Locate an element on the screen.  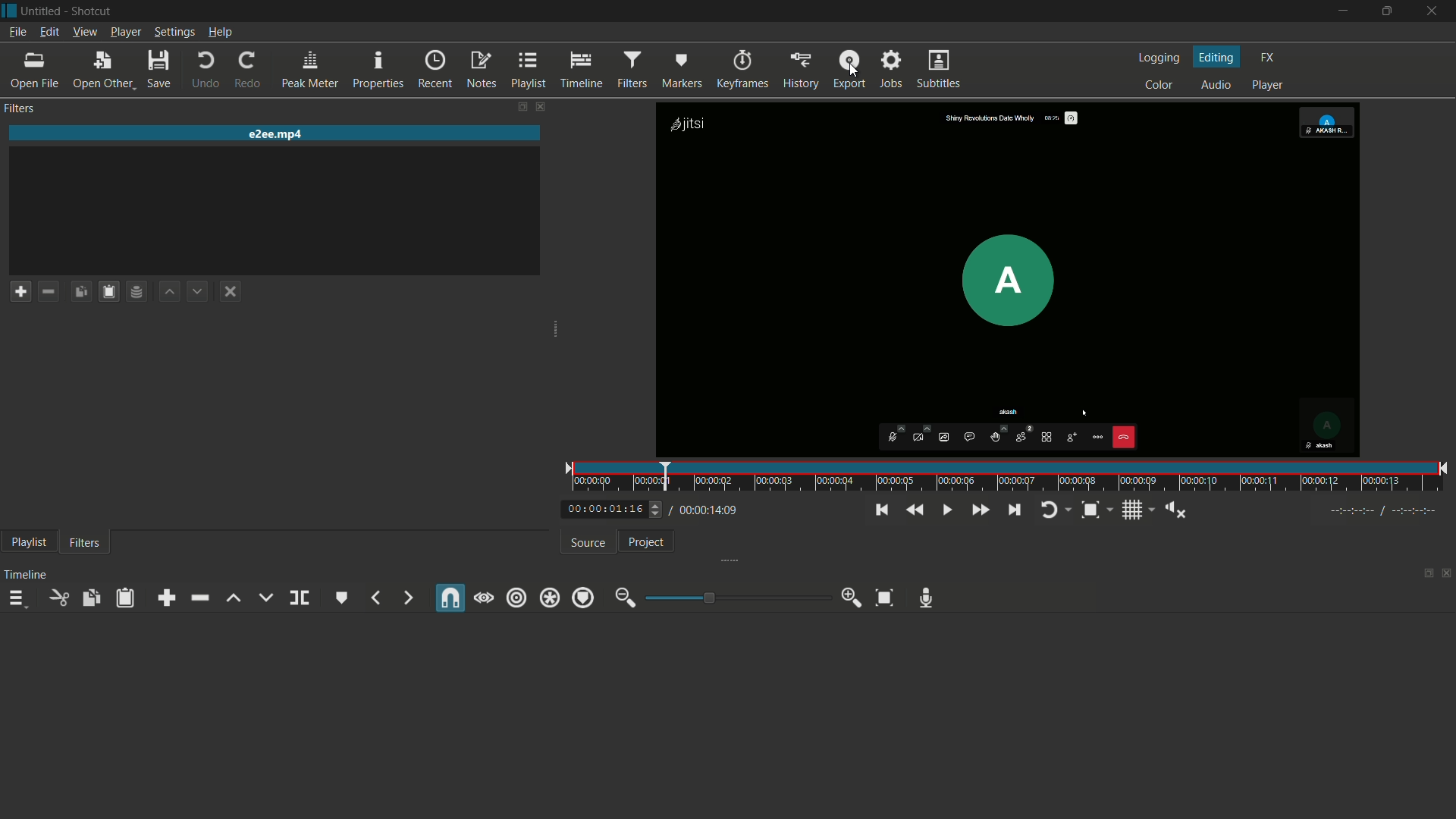
ripple is located at coordinates (518, 597).